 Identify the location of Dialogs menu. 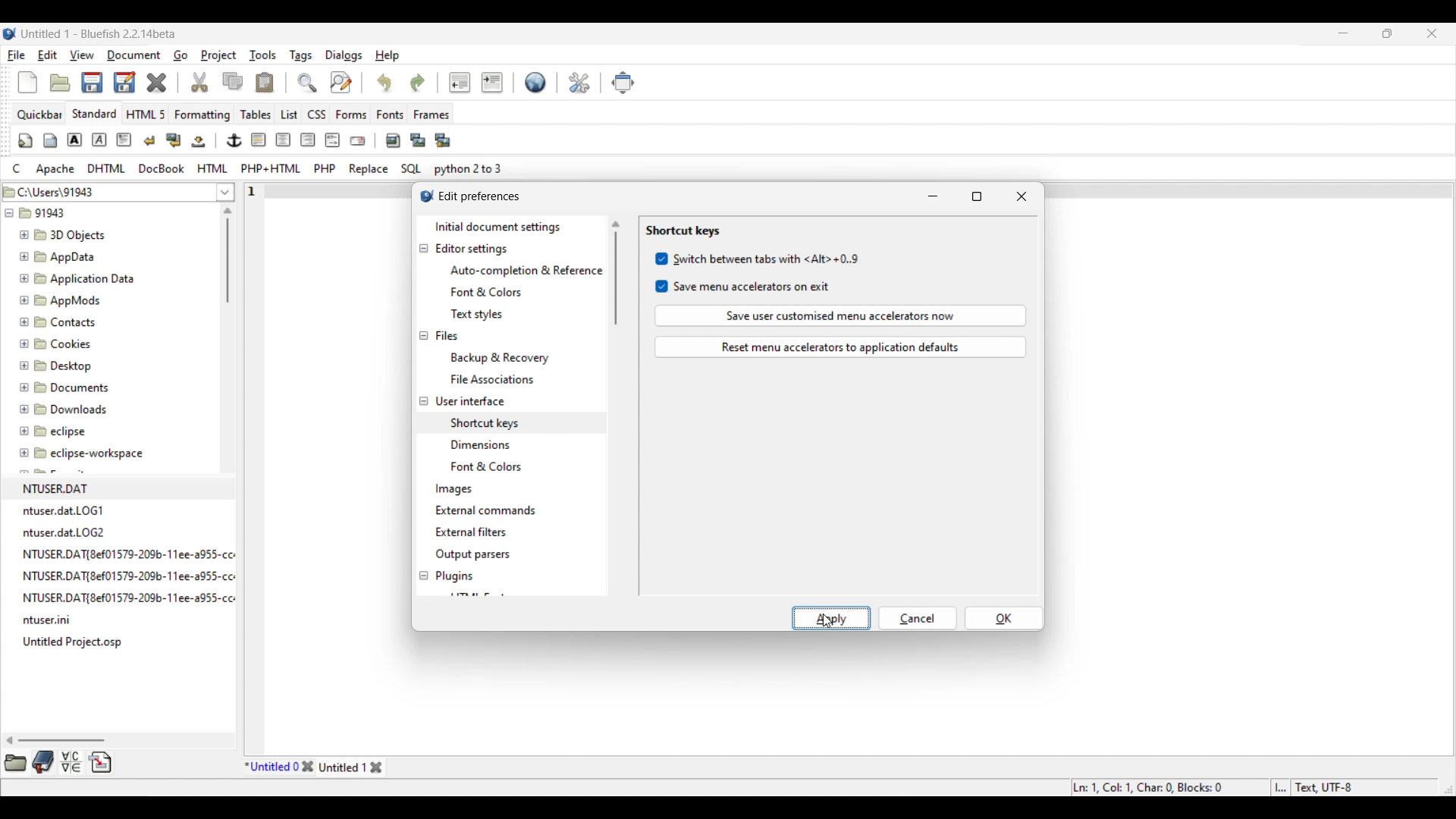
(344, 55).